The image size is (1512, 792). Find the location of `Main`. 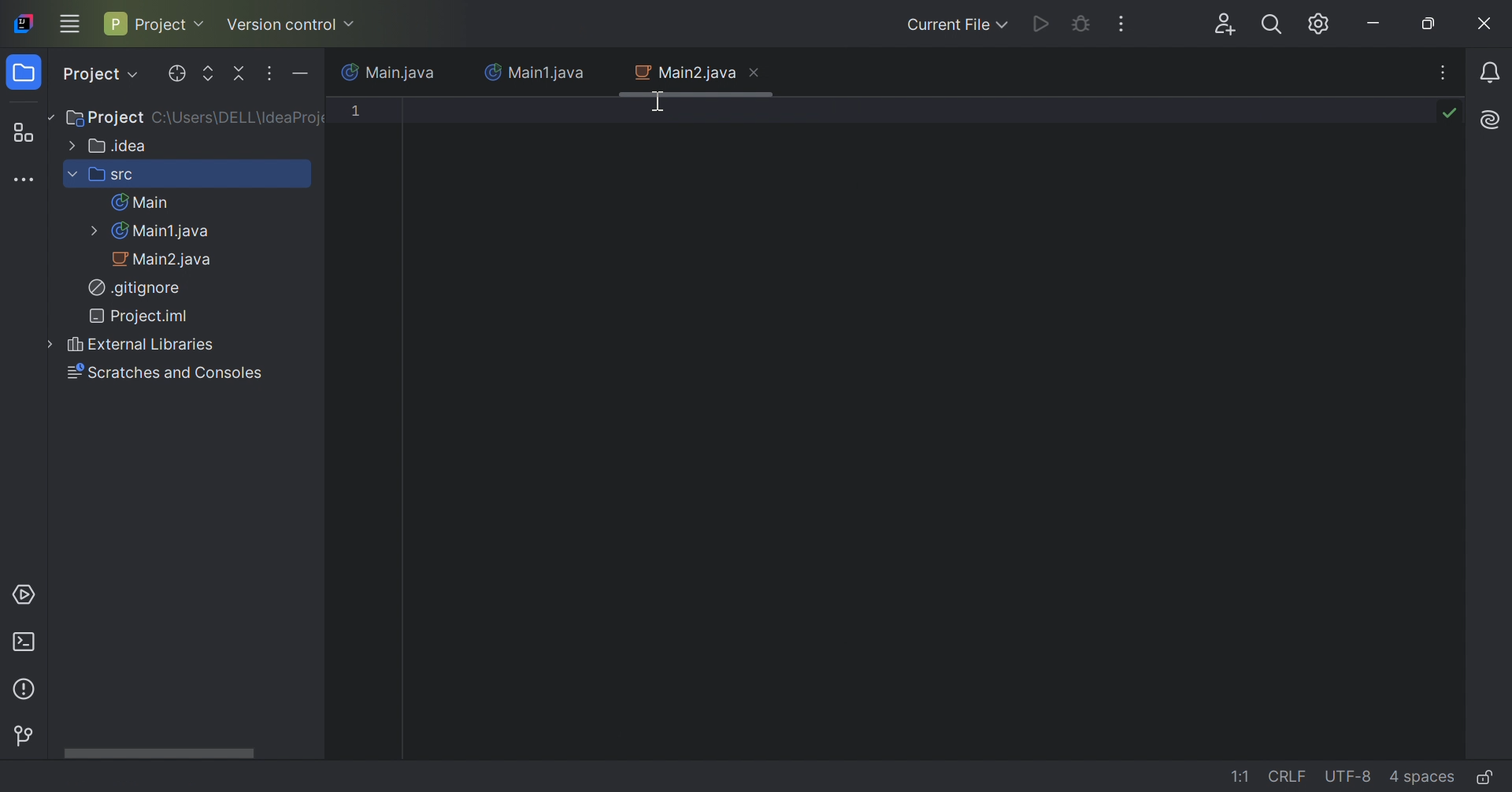

Main is located at coordinates (141, 204).